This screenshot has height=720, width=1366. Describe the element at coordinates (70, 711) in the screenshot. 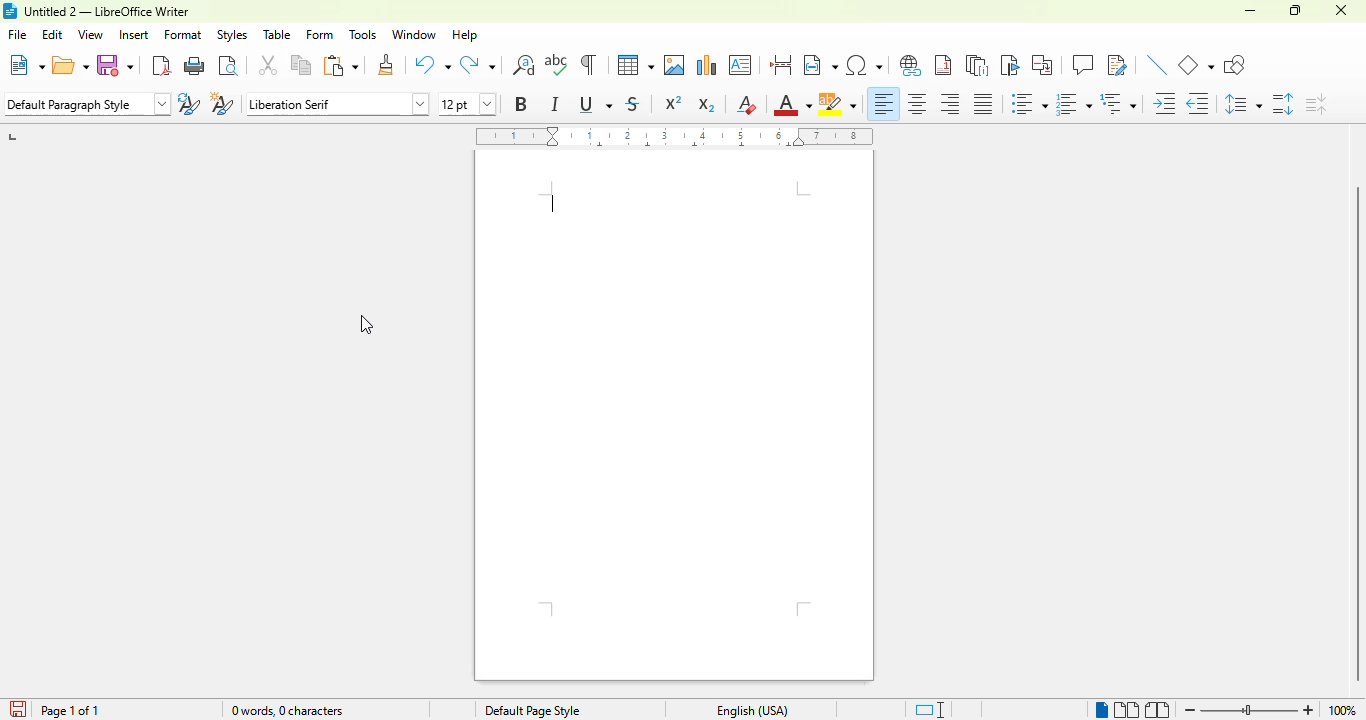

I see `page 1 of 1` at that location.